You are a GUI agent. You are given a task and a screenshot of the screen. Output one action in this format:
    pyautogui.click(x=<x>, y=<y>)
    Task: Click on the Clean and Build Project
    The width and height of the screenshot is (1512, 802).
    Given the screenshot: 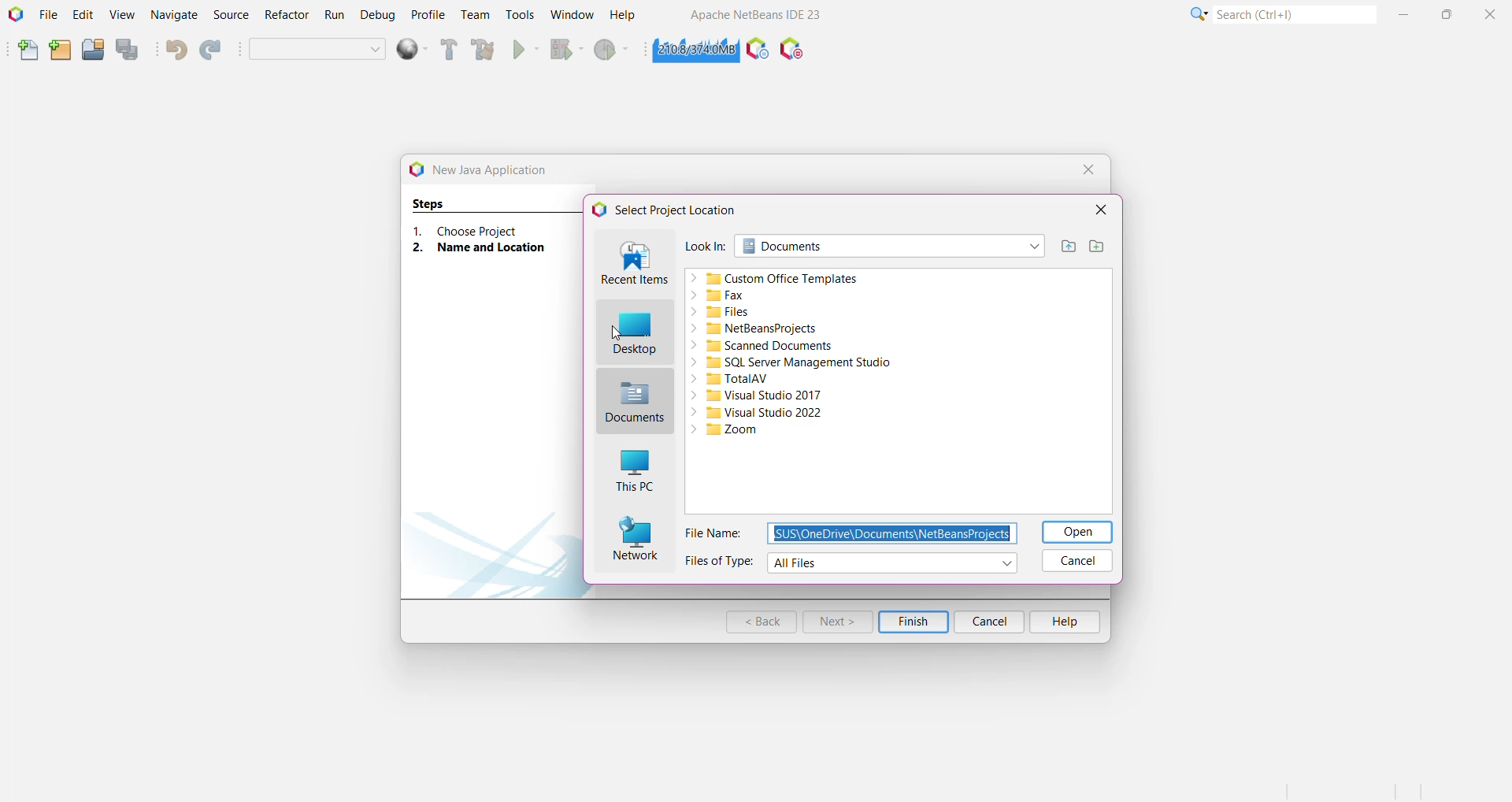 What is the action you would take?
    pyautogui.click(x=483, y=50)
    